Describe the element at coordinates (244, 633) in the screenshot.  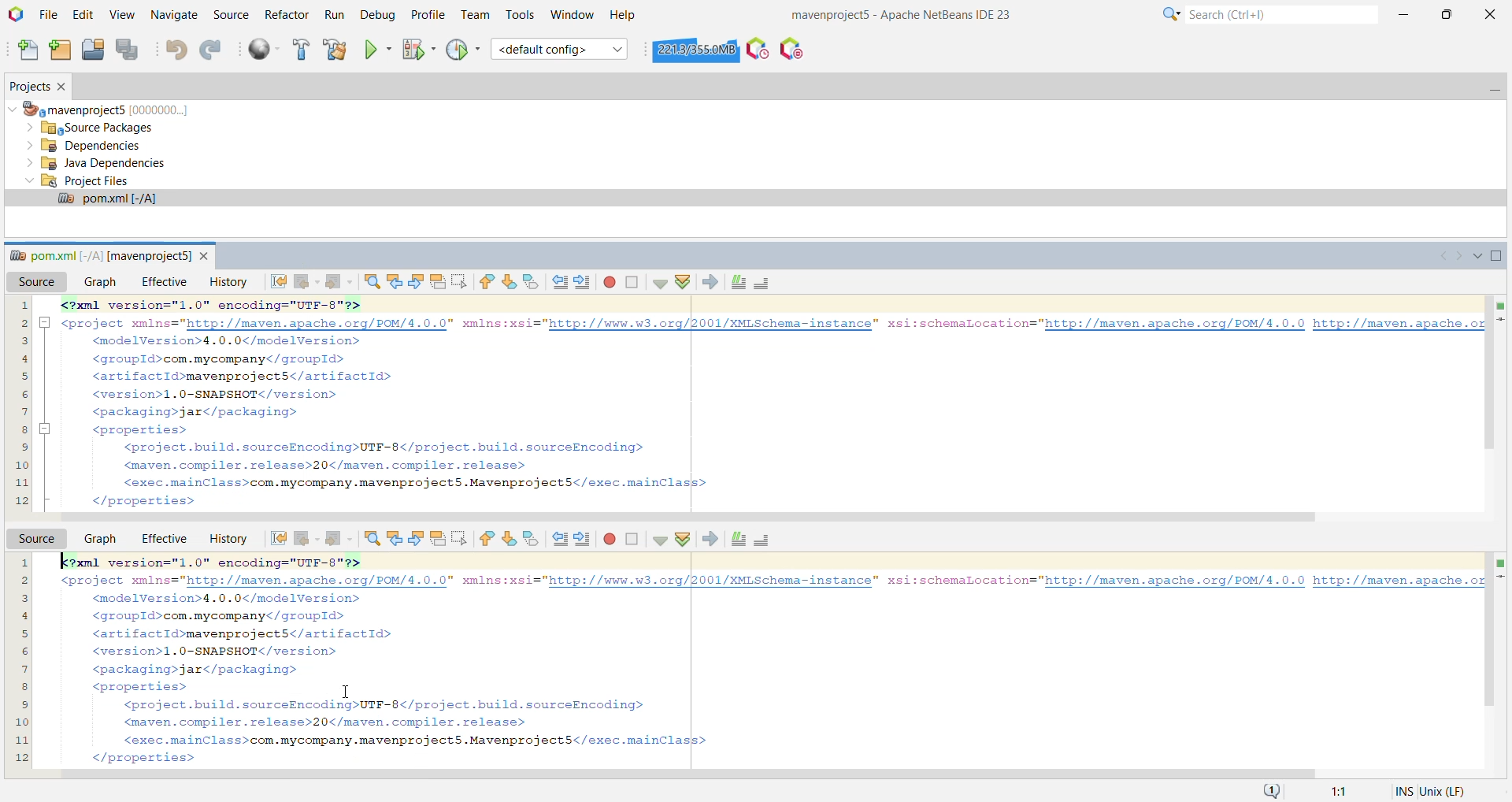
I see `<artifactId>mavenprojectS</artifactIid>` at that location.